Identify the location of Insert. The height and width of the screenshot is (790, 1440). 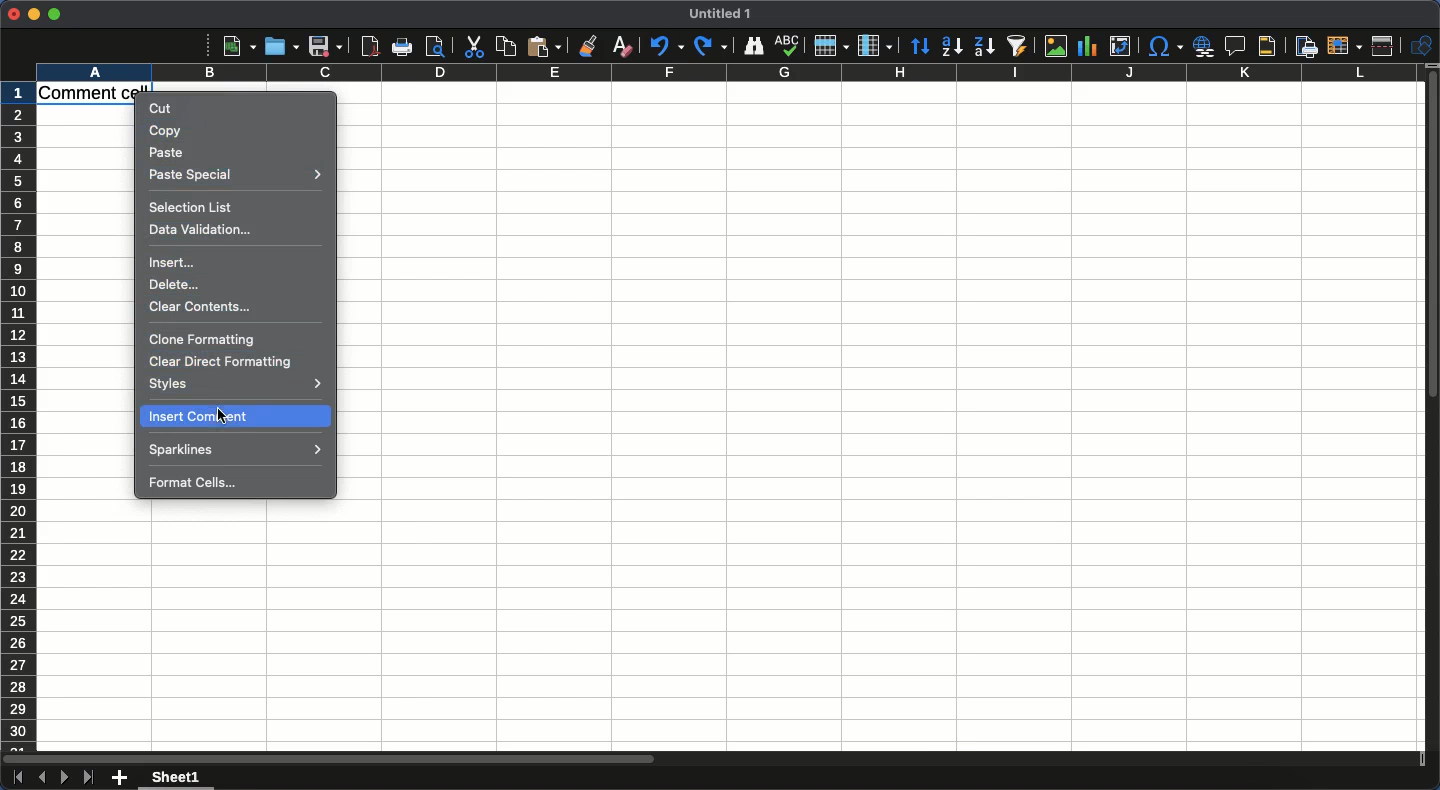
(181, 263).